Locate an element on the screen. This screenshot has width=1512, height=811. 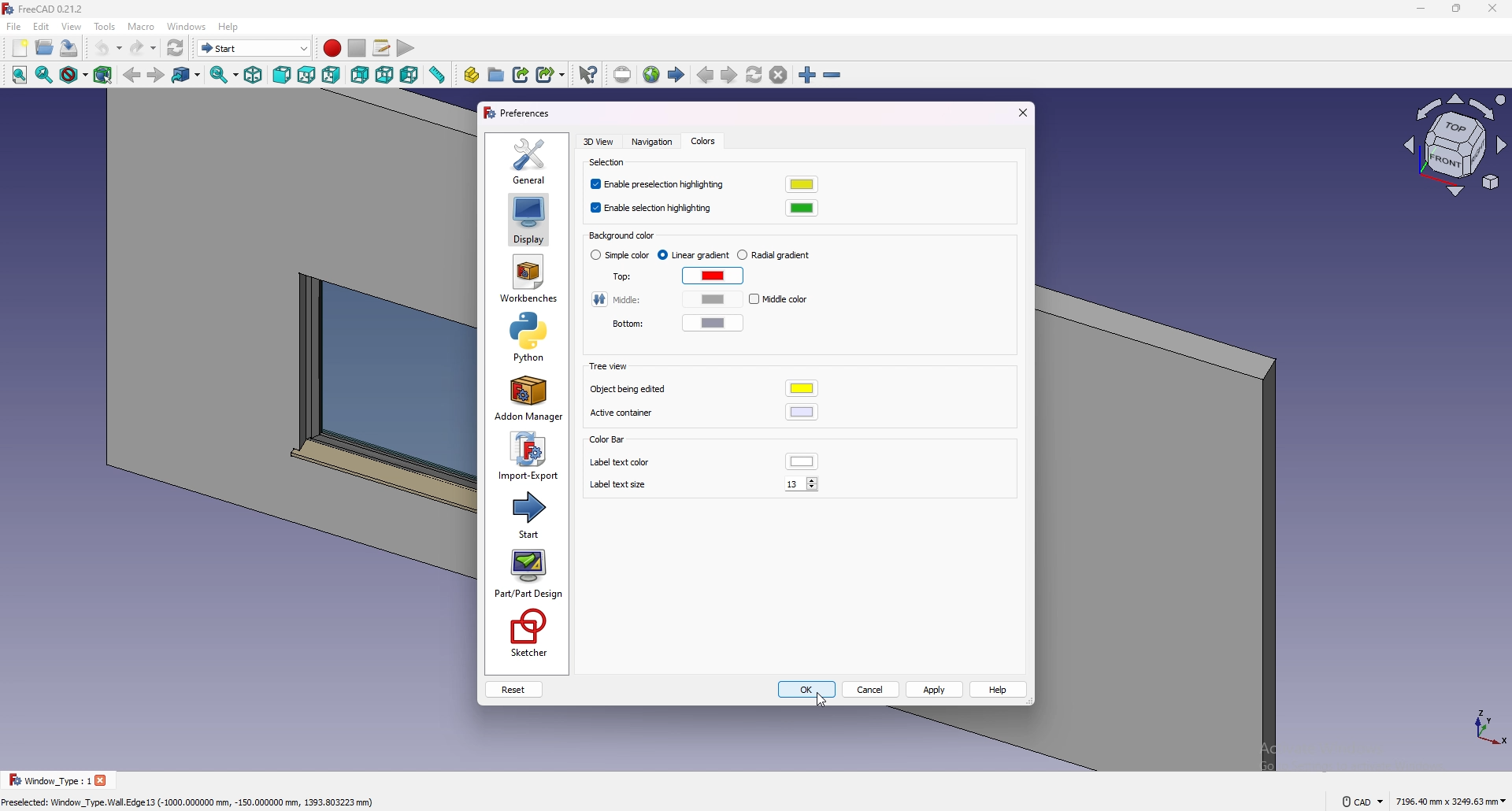
label text color is located at coordinates (621, 462).